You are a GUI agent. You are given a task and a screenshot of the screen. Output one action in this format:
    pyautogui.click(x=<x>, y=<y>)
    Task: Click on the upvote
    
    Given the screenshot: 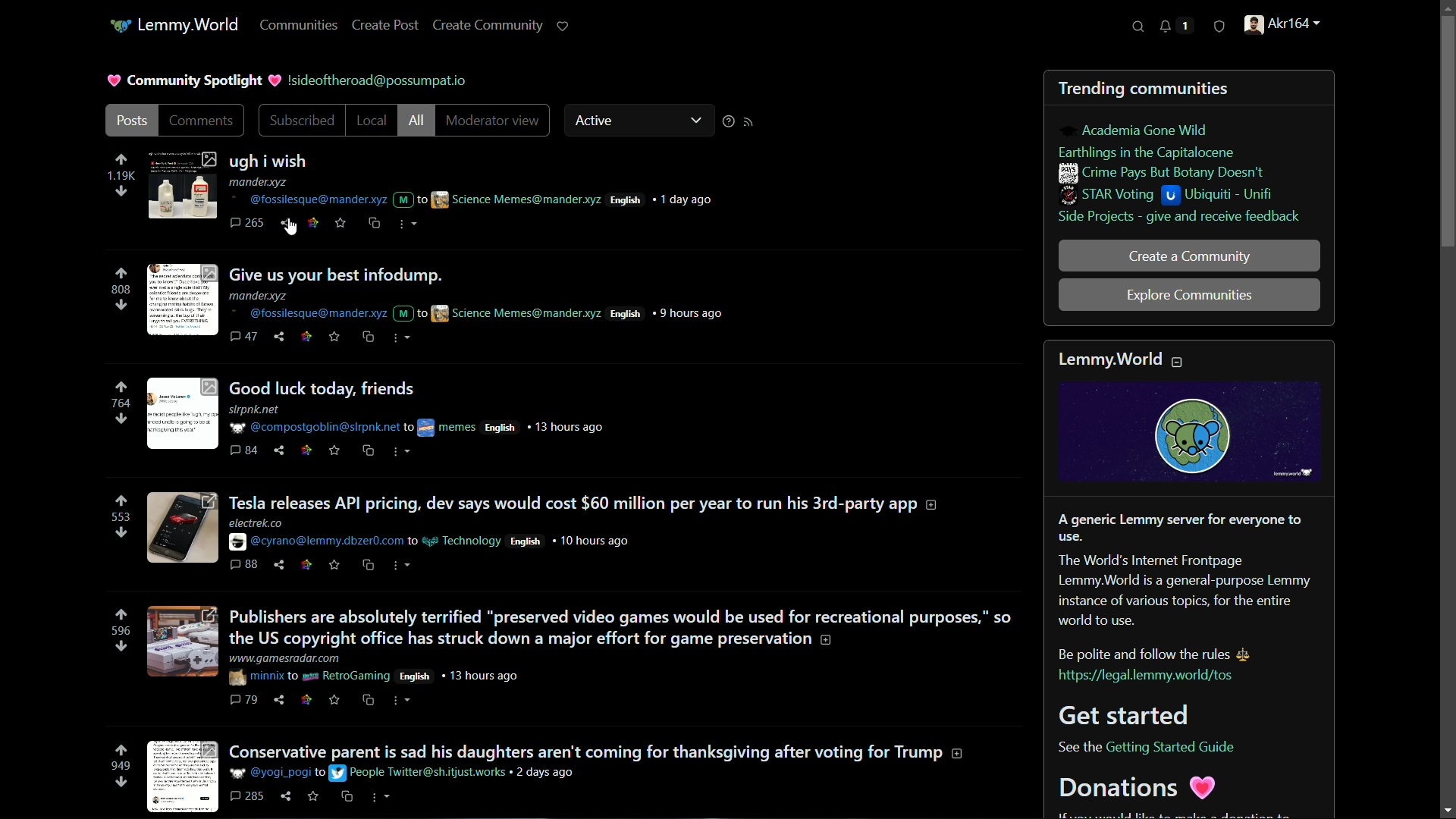 What is the action you would take?
    pyautogui.click(x=121, y=501)
    